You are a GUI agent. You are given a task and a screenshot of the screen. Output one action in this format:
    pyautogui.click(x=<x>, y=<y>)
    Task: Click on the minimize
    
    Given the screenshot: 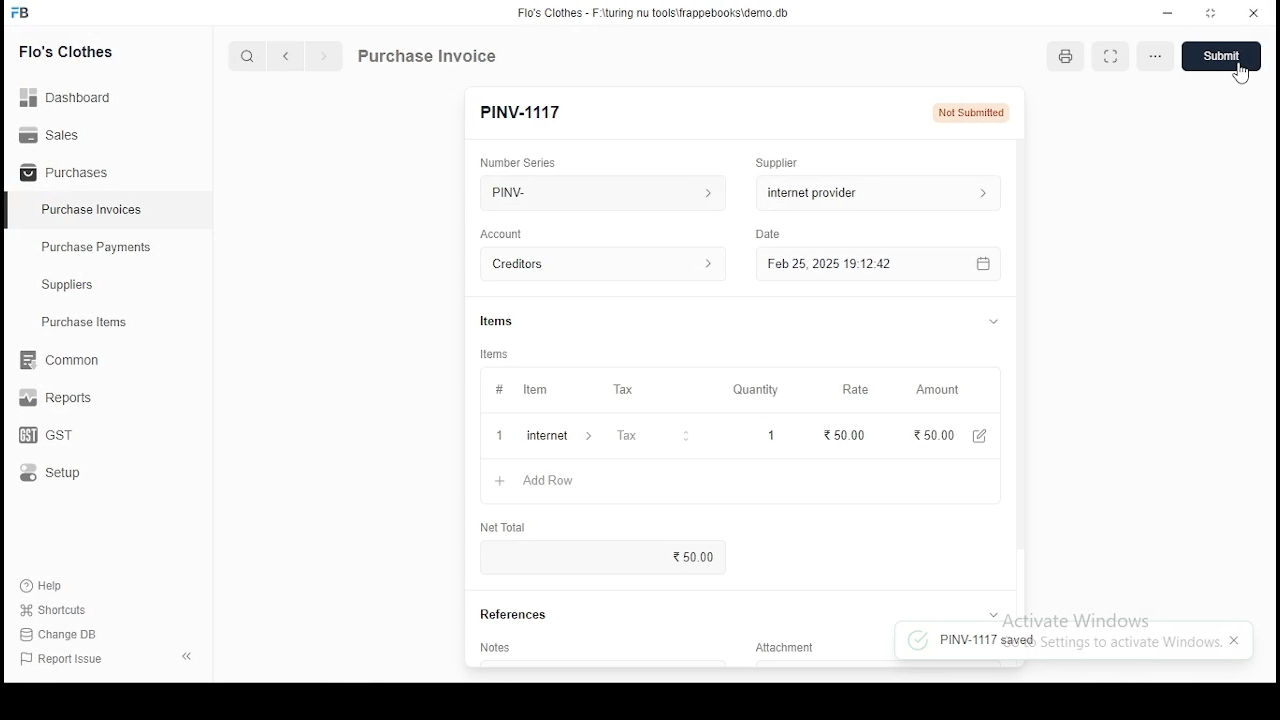 What is the action you would take?
    pyautogui.click(x=1170, y=12)
    